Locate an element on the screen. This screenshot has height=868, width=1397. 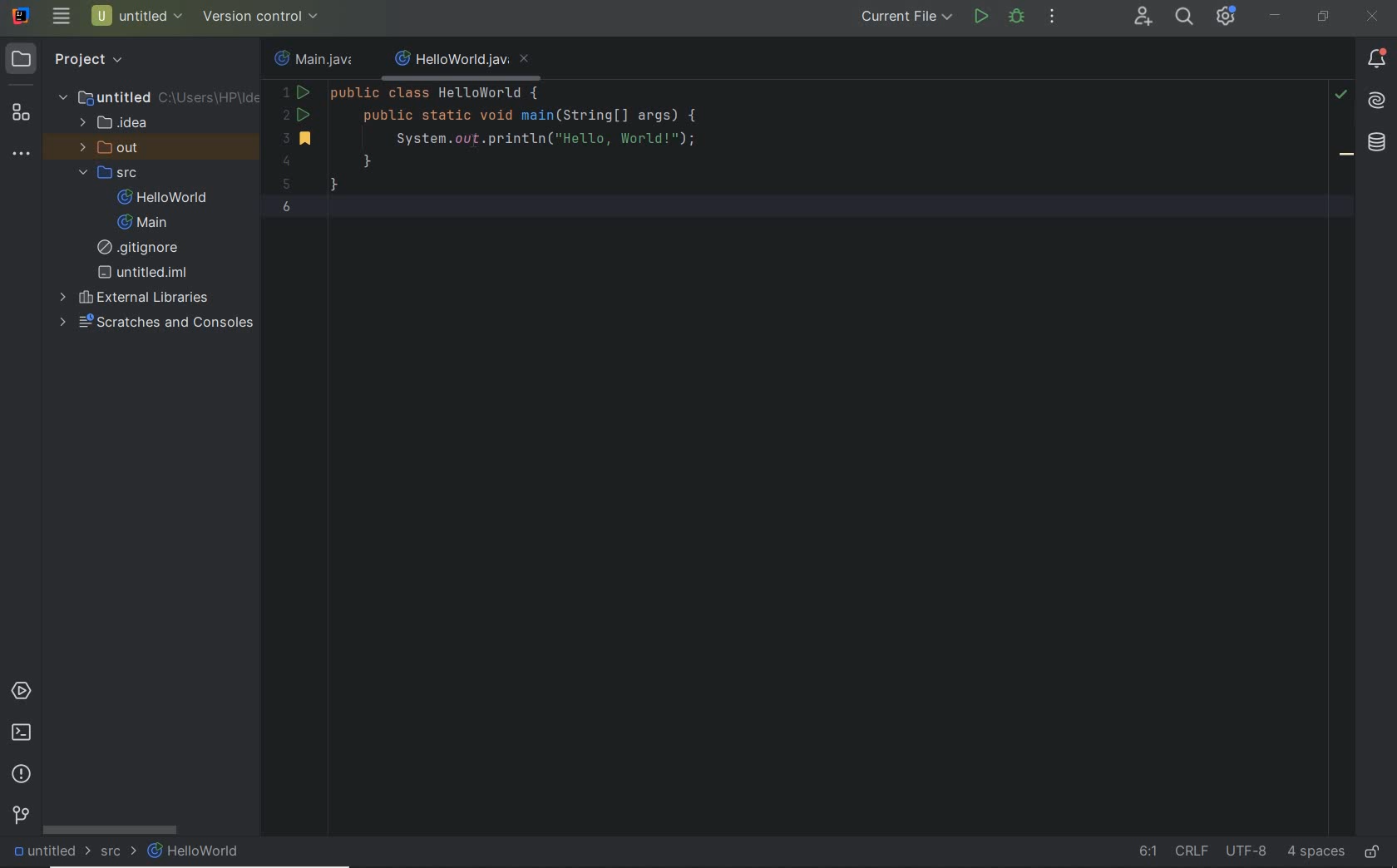
scratches and consoles is located at coordinates (151, 323).